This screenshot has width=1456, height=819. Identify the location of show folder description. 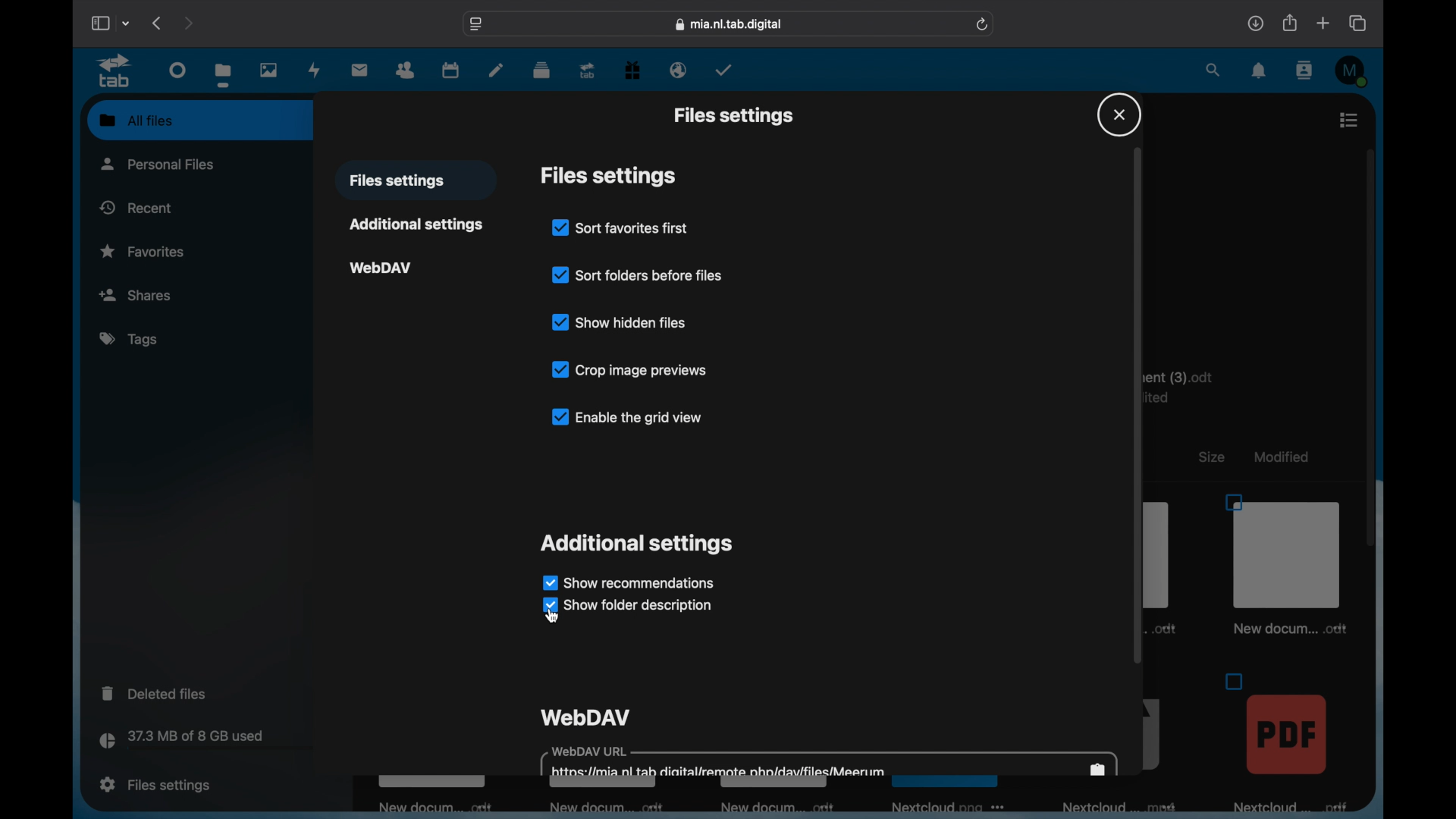
(629, 606).